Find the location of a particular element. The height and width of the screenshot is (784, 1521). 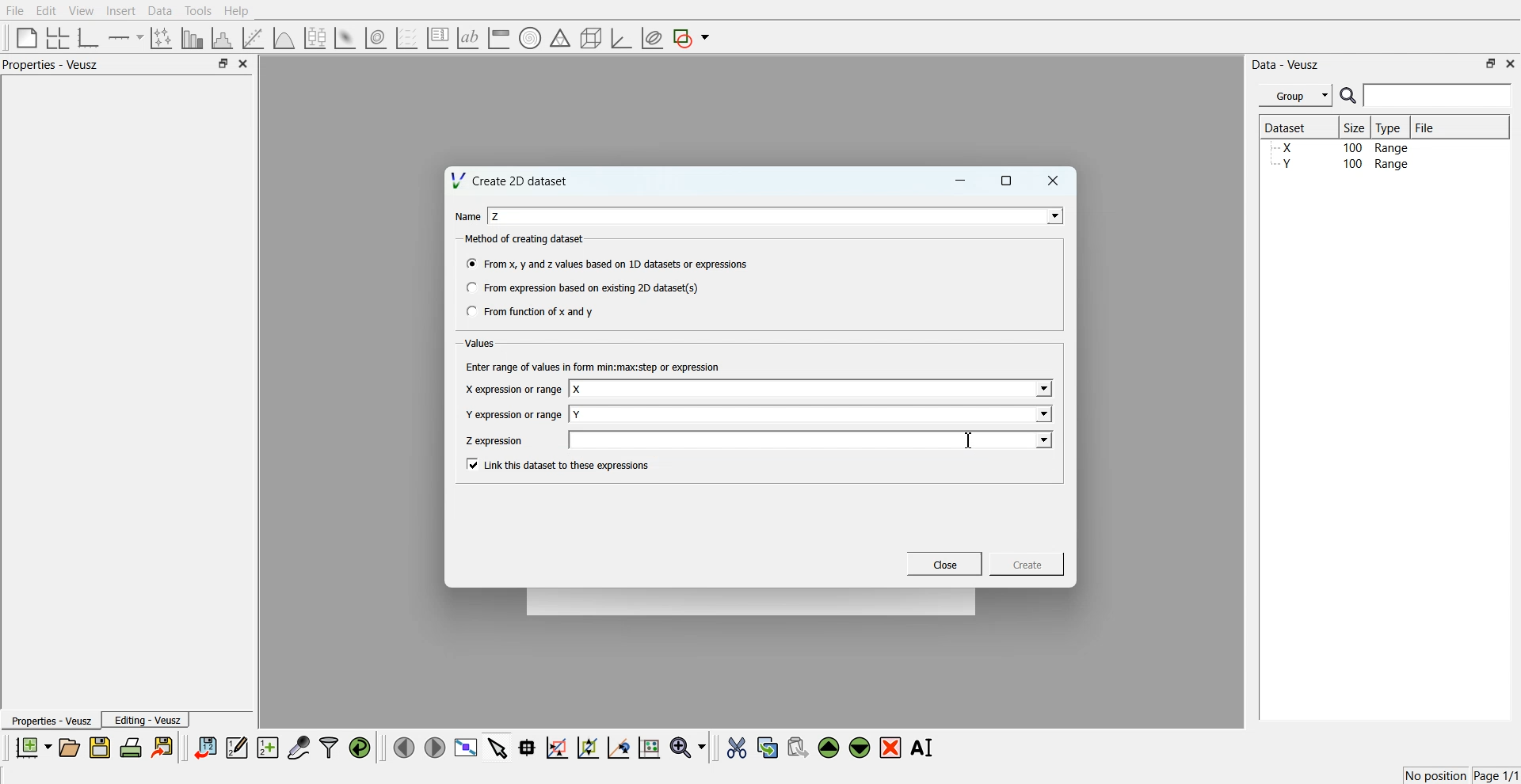

Properties - Veusz is located at coordinates (50, 720).